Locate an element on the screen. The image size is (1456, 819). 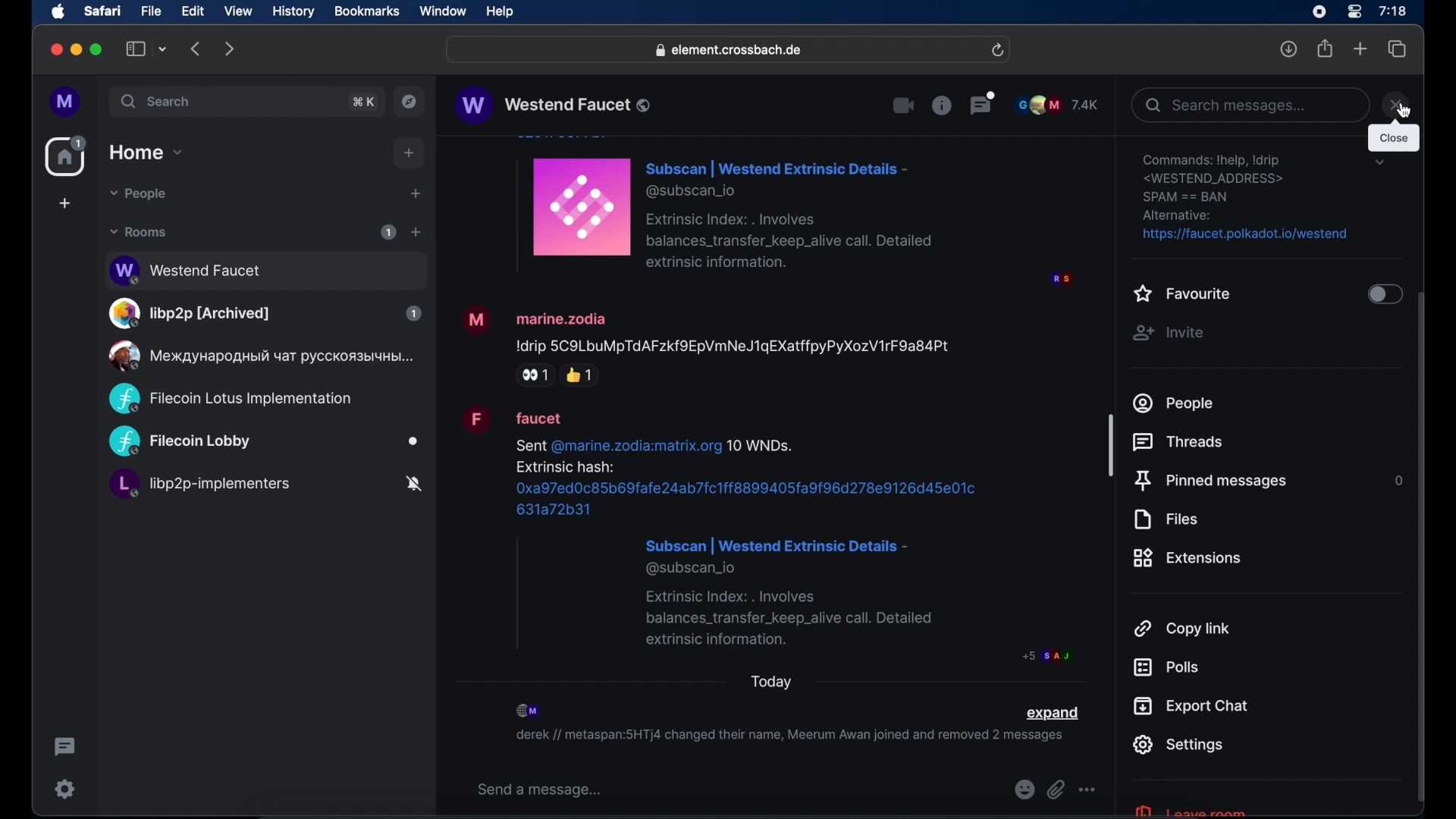
time is located at coordinates (1392, 11).